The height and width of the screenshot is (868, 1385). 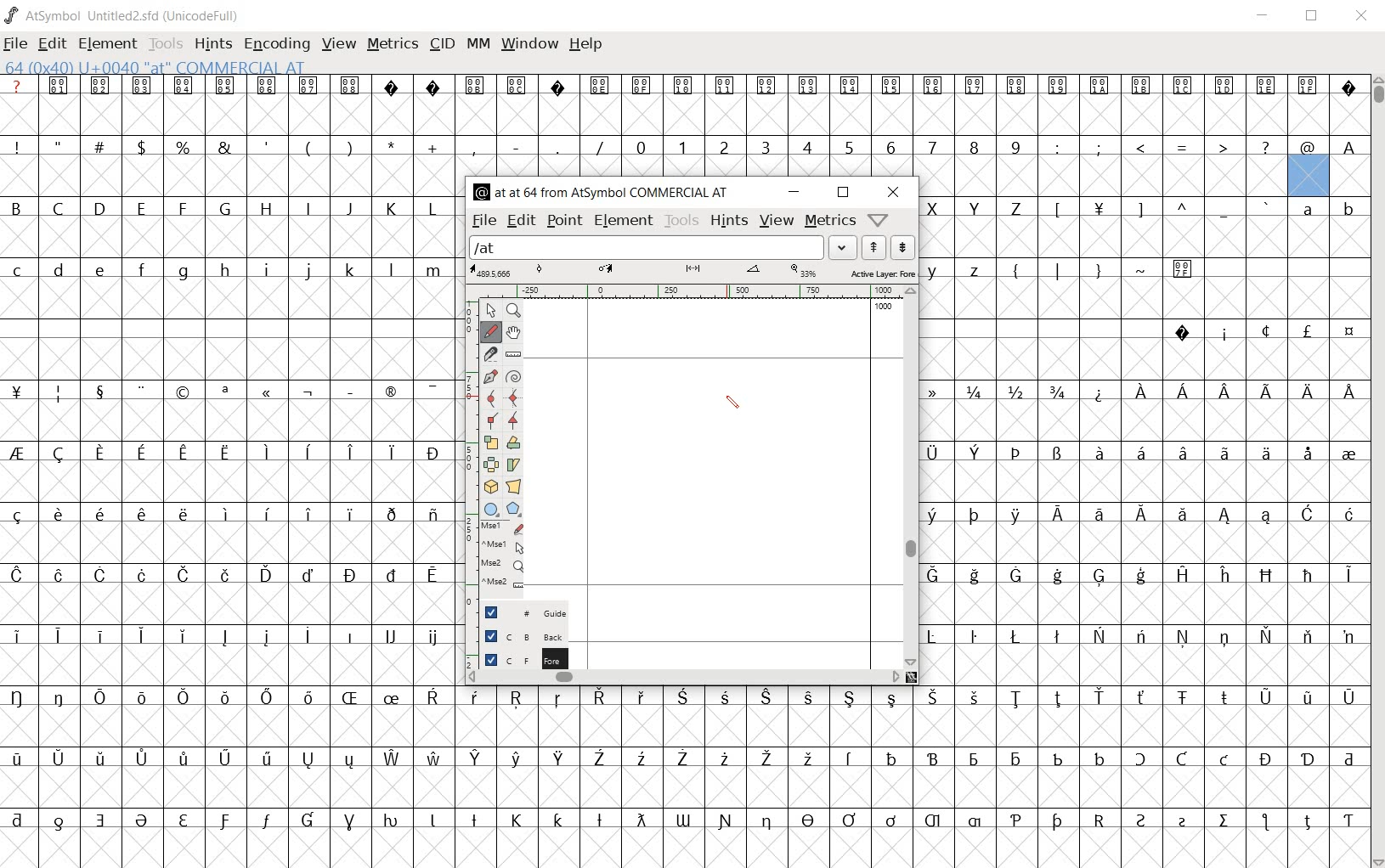 I want to click on next word list, so click(x=903, y=247).